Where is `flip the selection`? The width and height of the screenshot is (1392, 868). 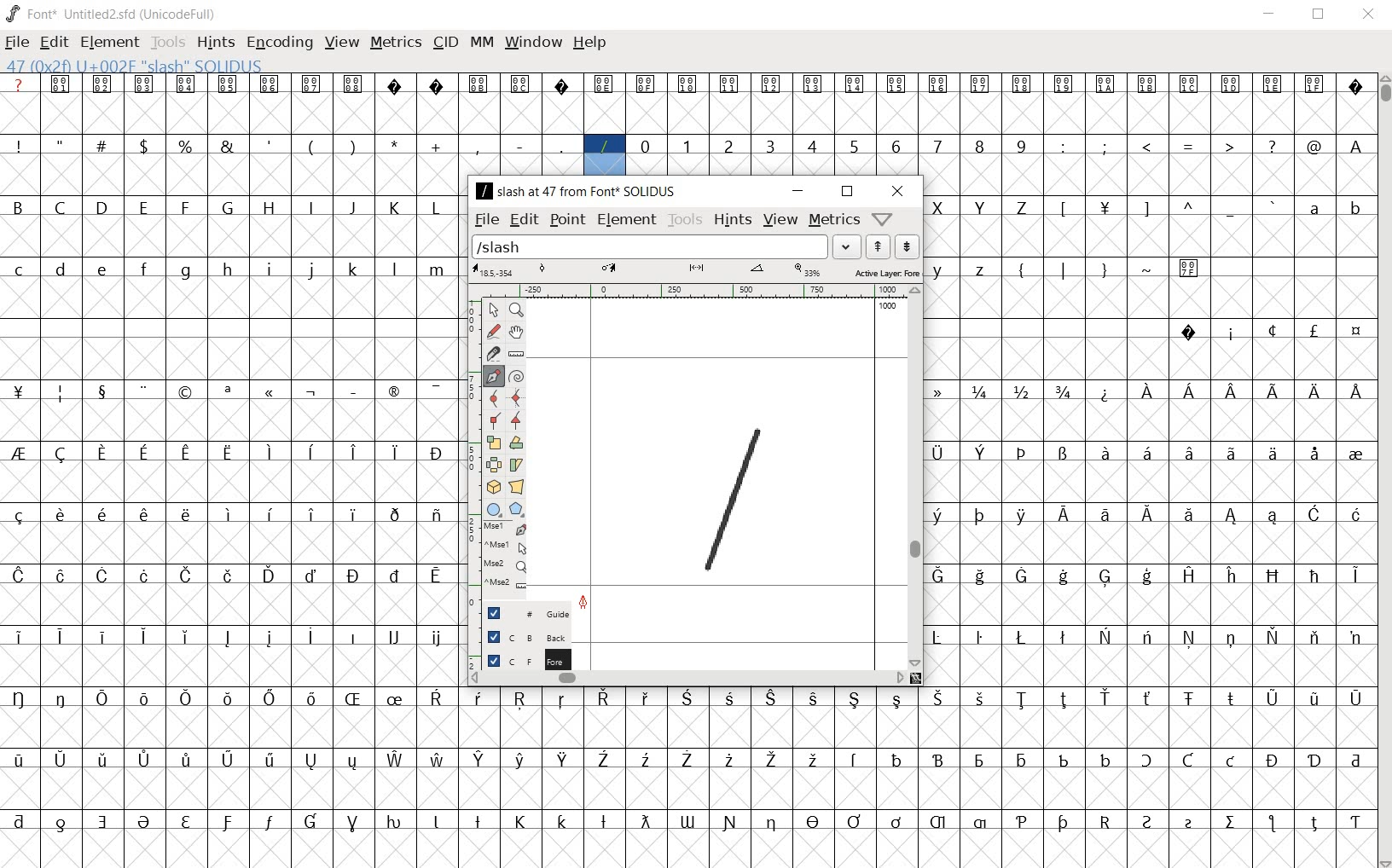
flip the selection is located at coordinates (493, 466).